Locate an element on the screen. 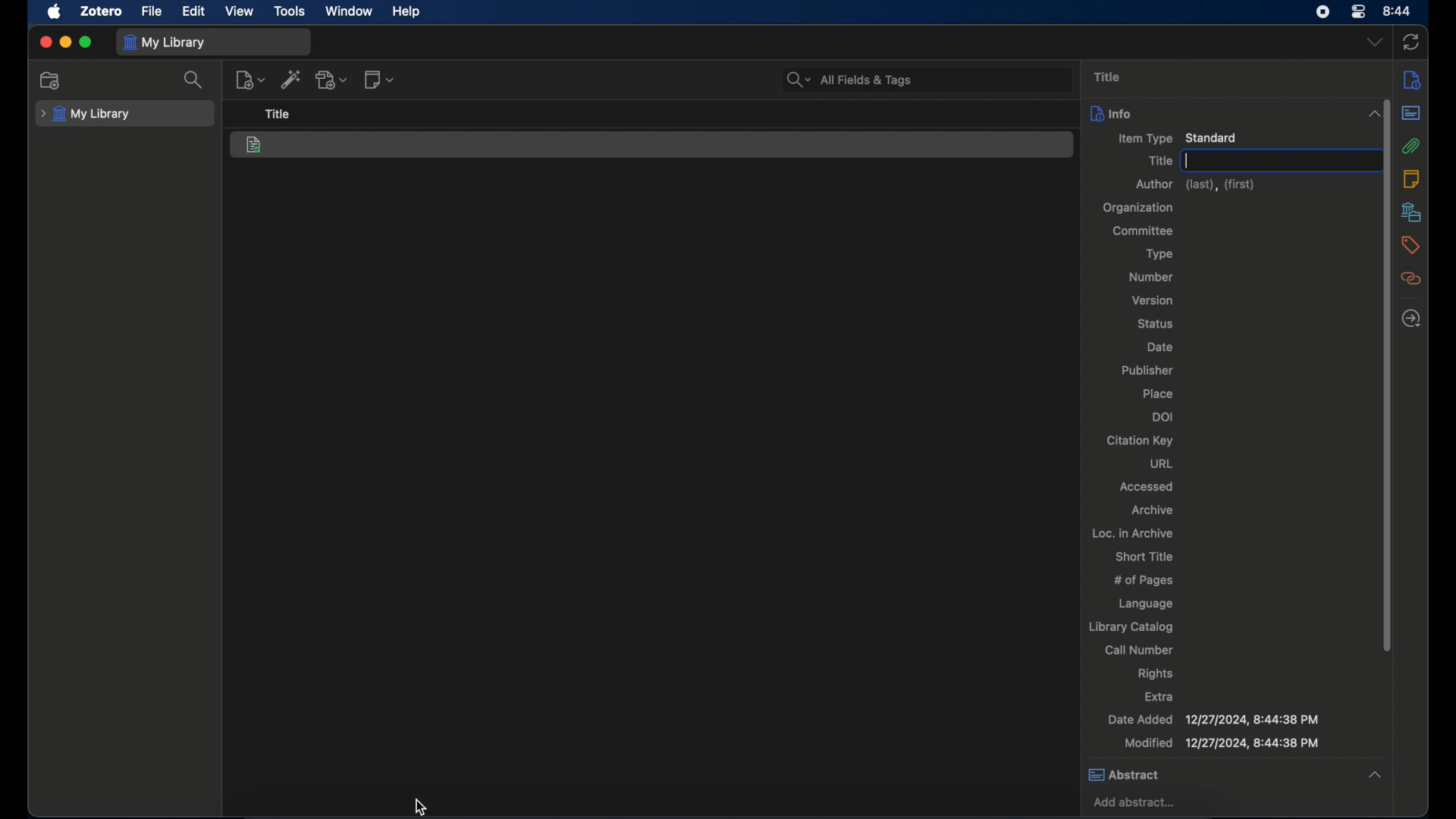 The height and width of the screenshot is (819, 1456). libraries is located at coordinates (1411, 212).